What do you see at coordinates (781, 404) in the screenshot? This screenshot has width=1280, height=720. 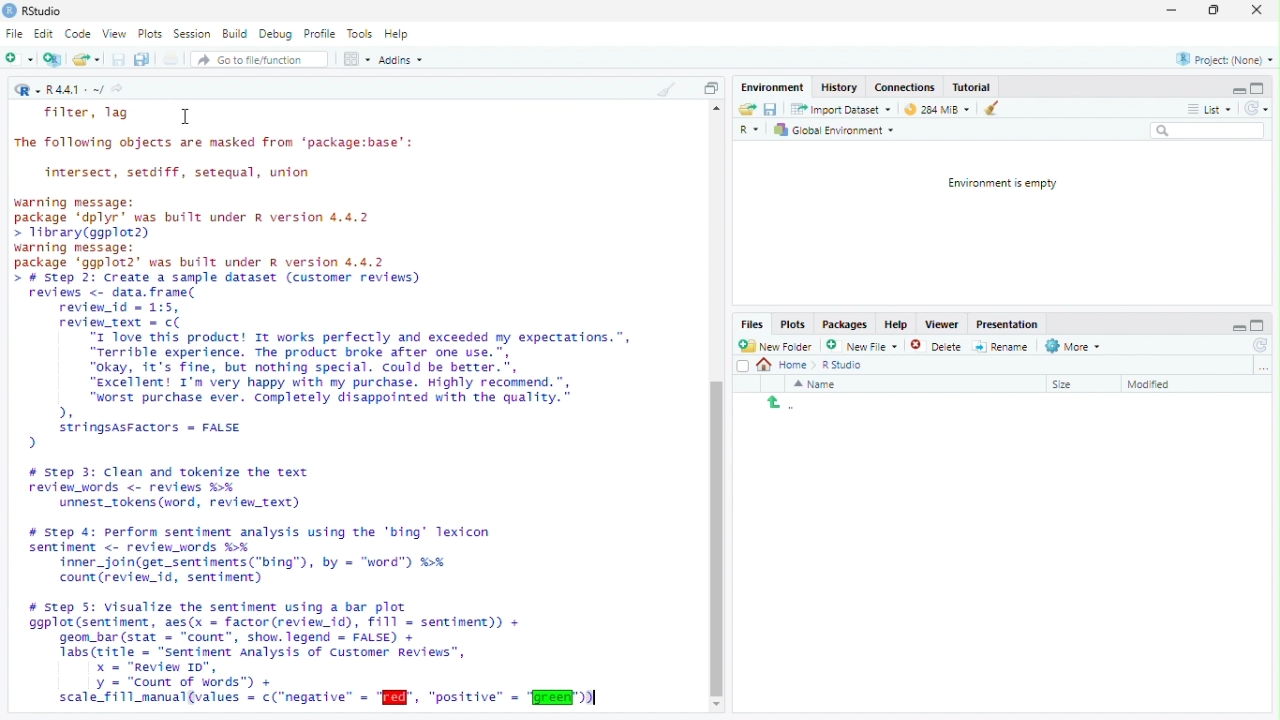 I see `Return` at bounding box center [781, 404].